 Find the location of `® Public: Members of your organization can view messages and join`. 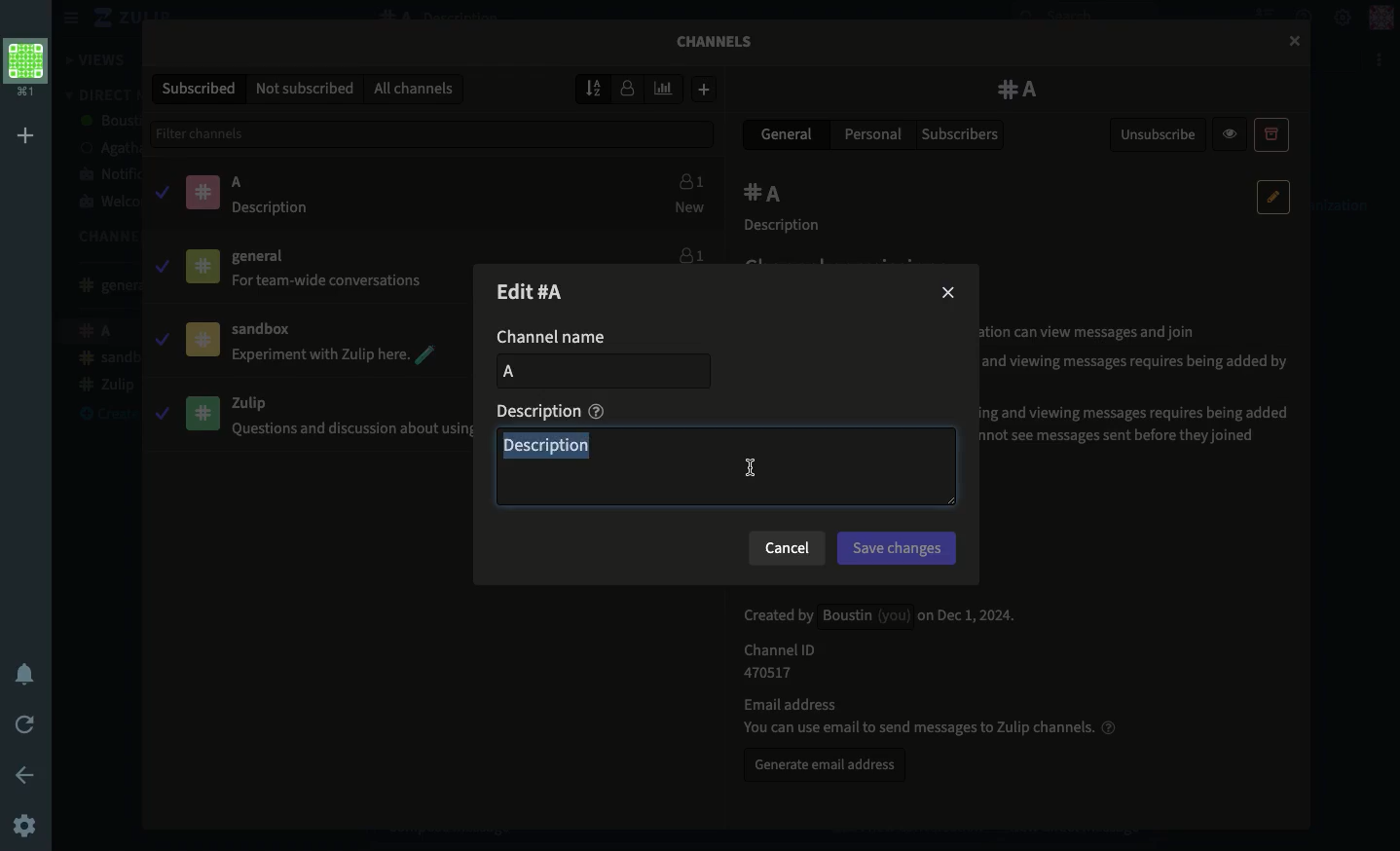

® Public: Members of your organization can view messages and join is located at coordinates (1094, 331).